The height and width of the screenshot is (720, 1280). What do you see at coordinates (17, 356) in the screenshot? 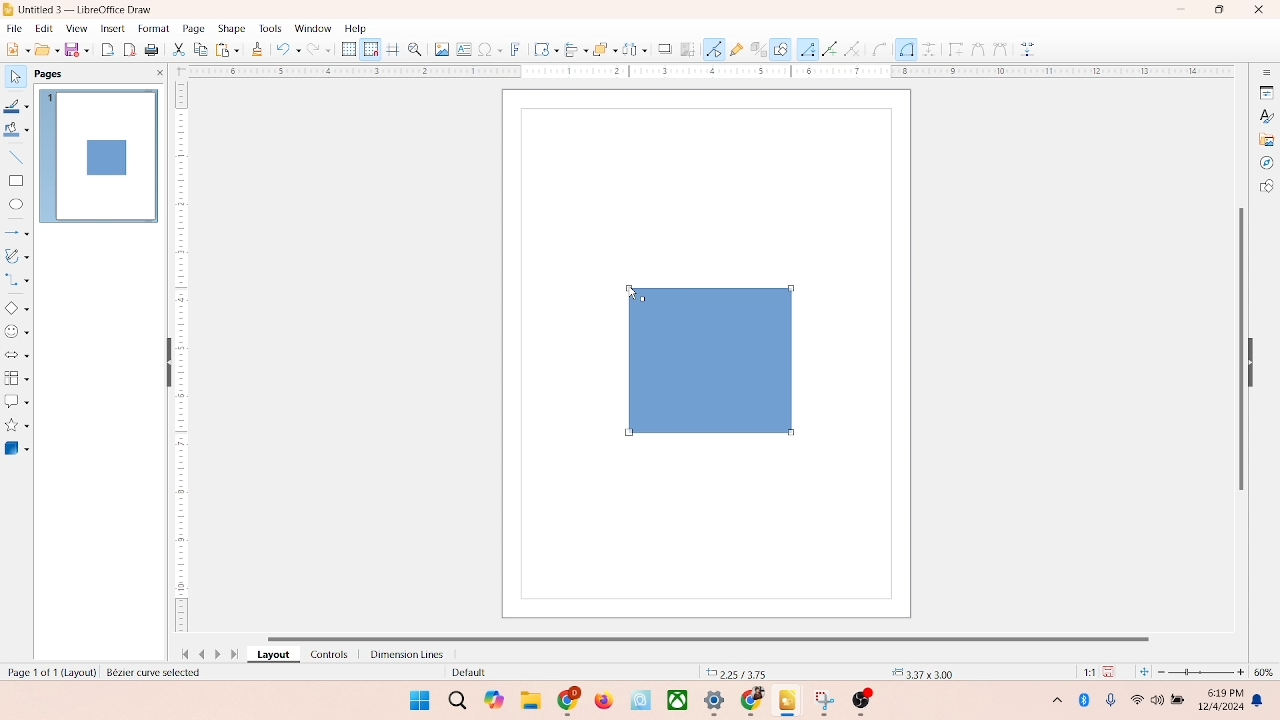
I see `block arrow` at bounding box center [17, 356].